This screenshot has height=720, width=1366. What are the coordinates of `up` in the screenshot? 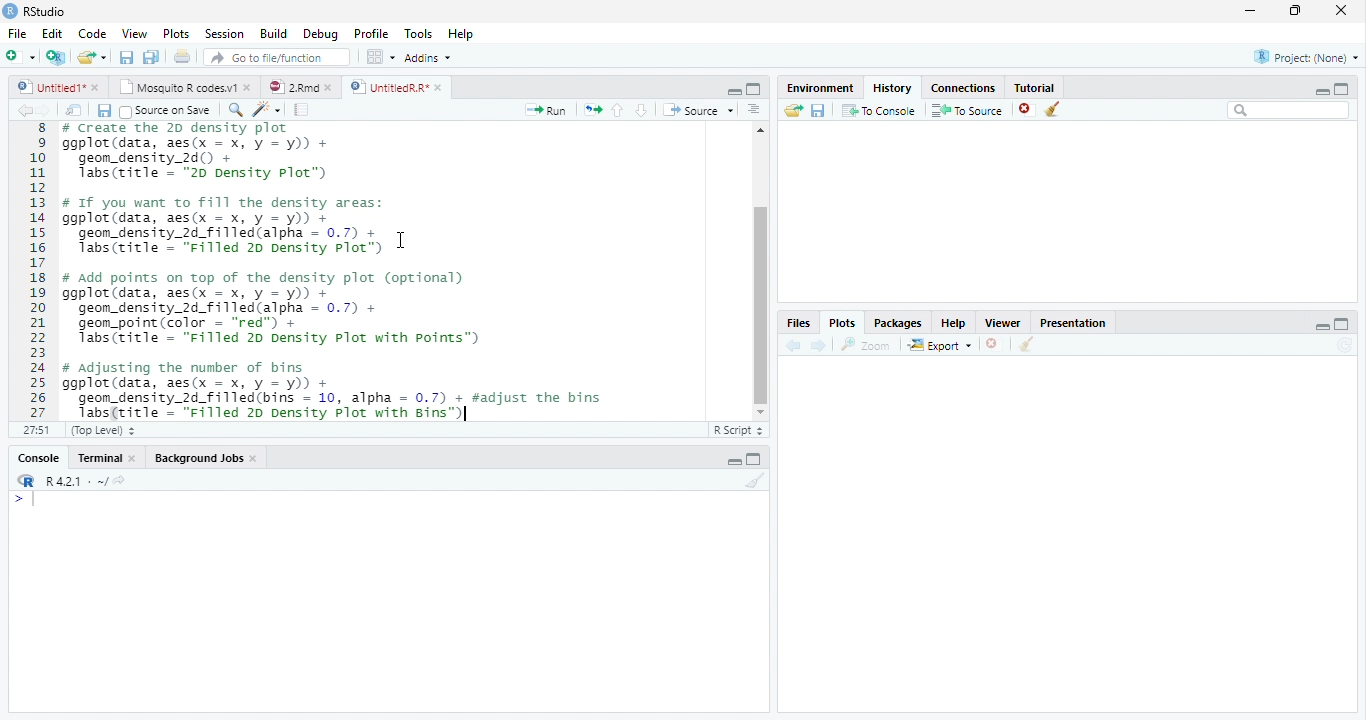 It's located at (618, 110).